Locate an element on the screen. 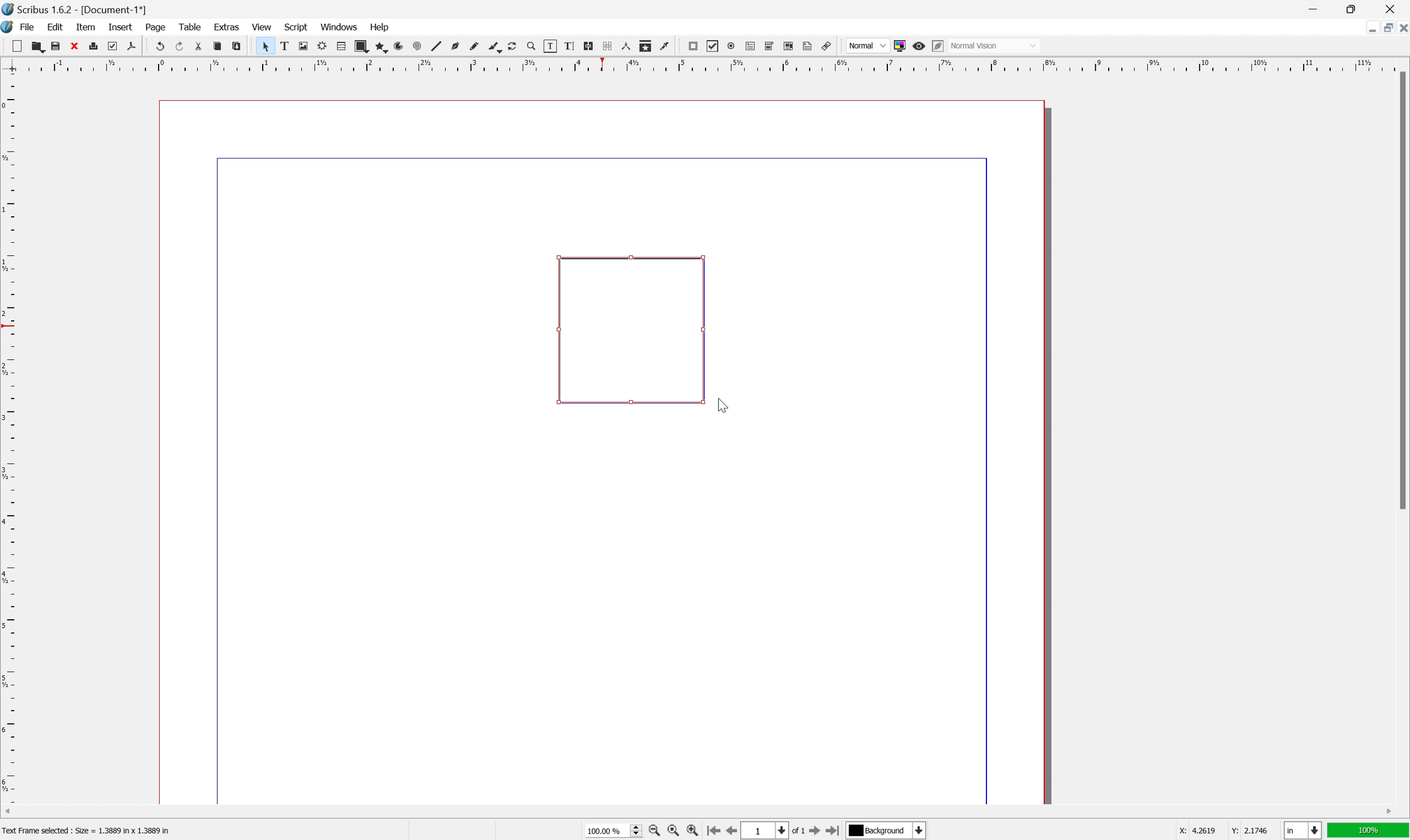  arc is located at coordinates (399, 46).